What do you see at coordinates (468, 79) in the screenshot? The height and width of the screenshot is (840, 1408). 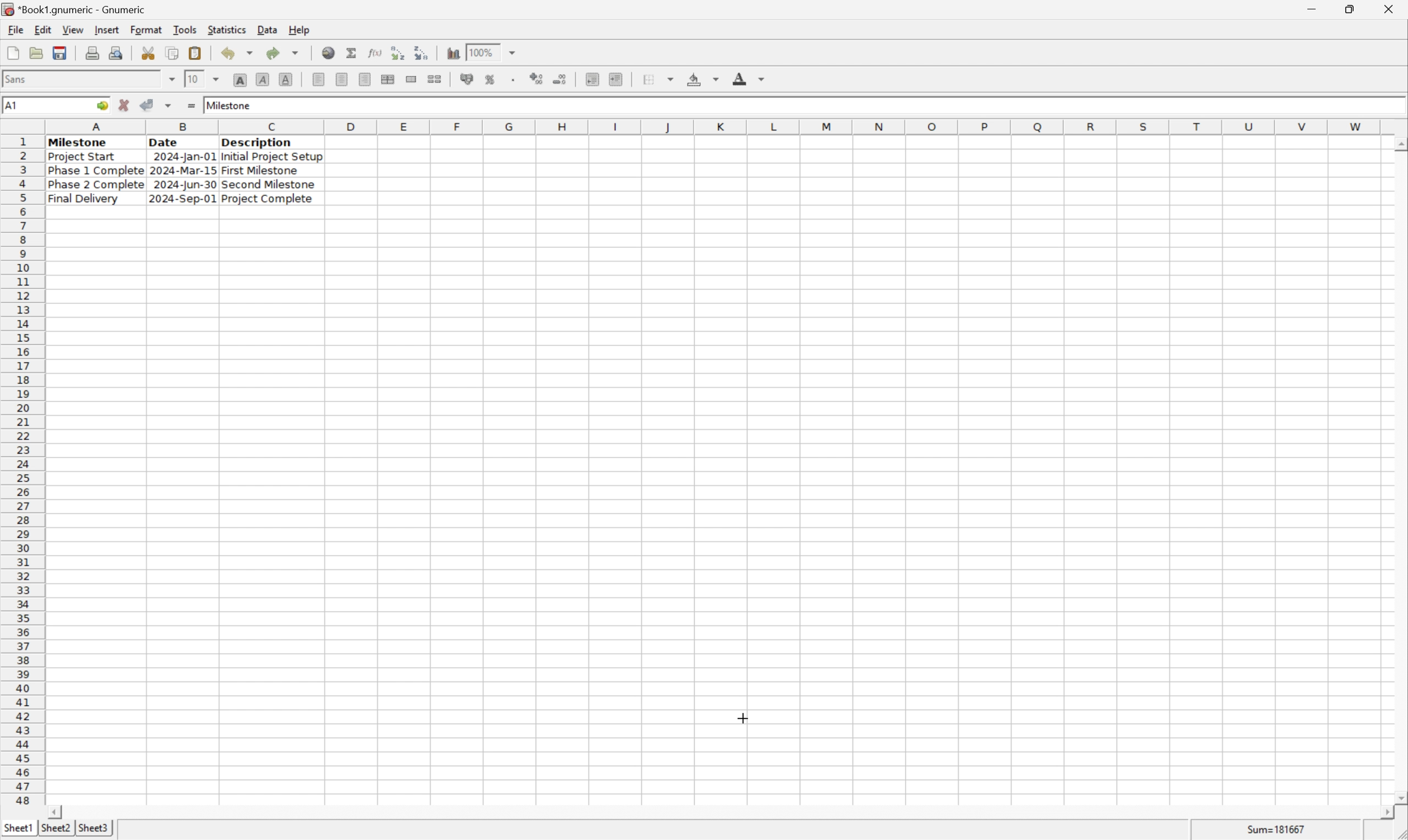 I see `format selection as accouting` at bounding box center [468, 79].